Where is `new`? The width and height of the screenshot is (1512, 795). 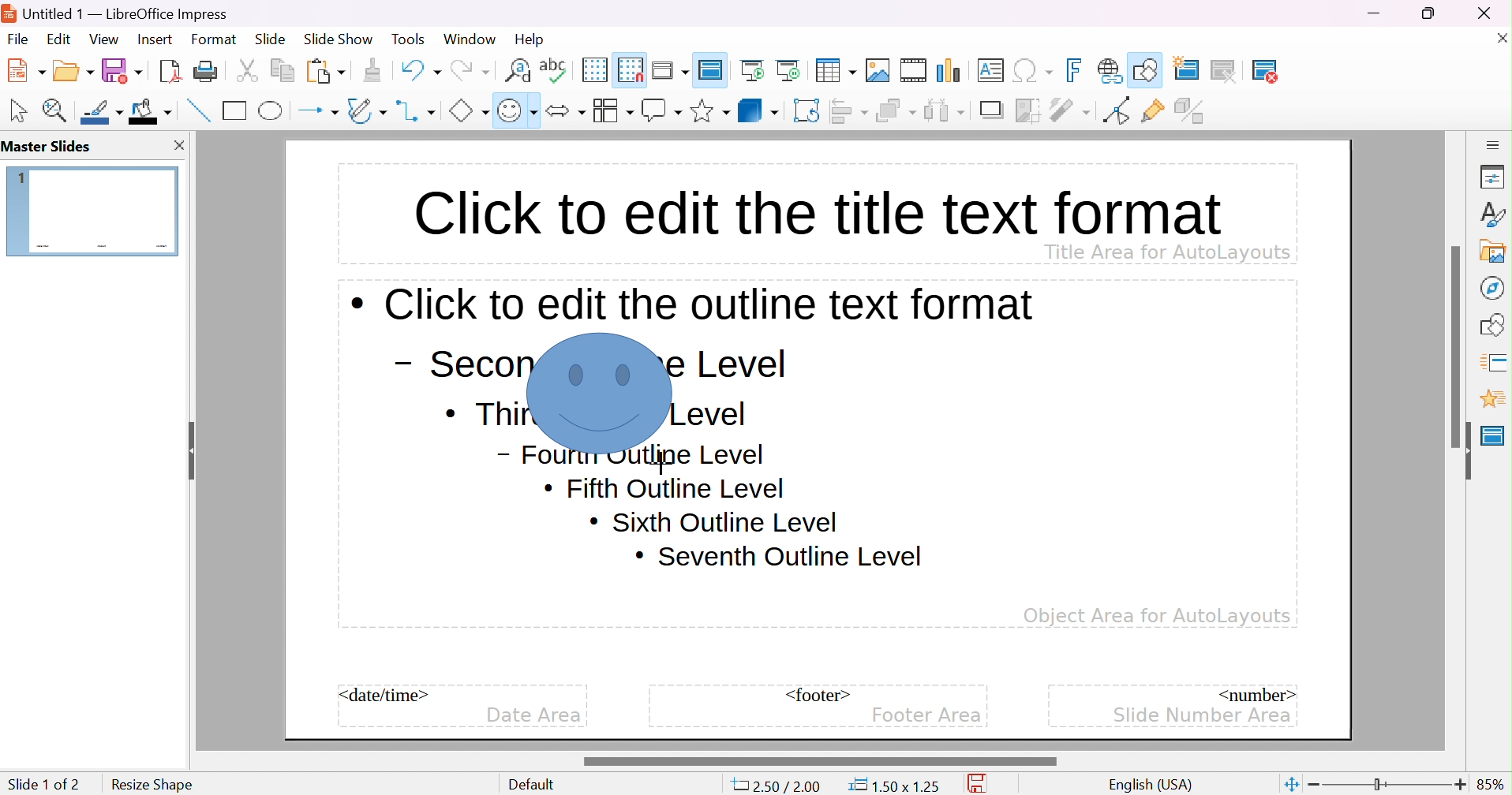
new is located at coordinates (28, 69).